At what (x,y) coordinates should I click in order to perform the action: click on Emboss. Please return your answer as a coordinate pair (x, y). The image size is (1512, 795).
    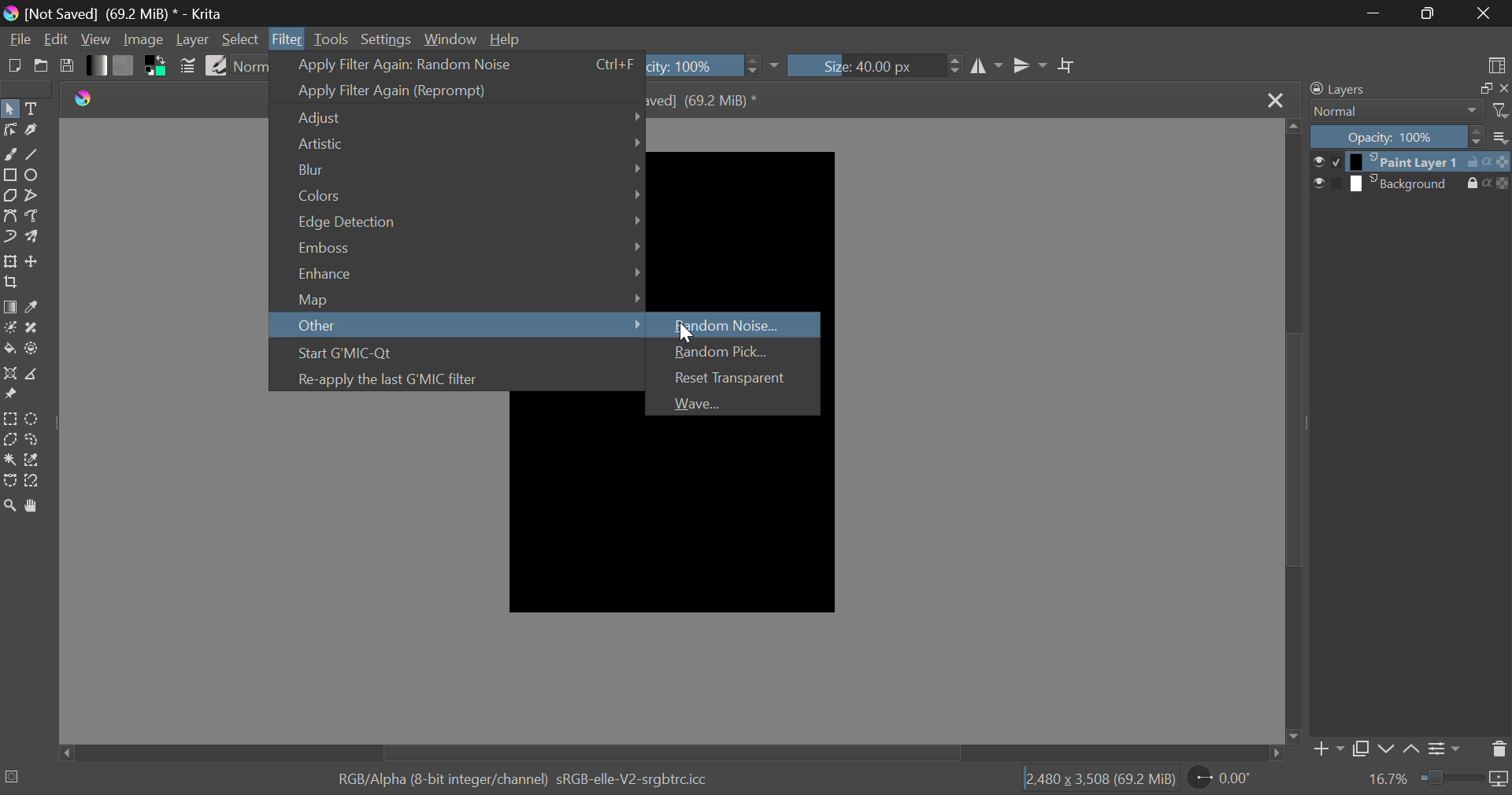
    Looking at the image, I should click on (458, 247).